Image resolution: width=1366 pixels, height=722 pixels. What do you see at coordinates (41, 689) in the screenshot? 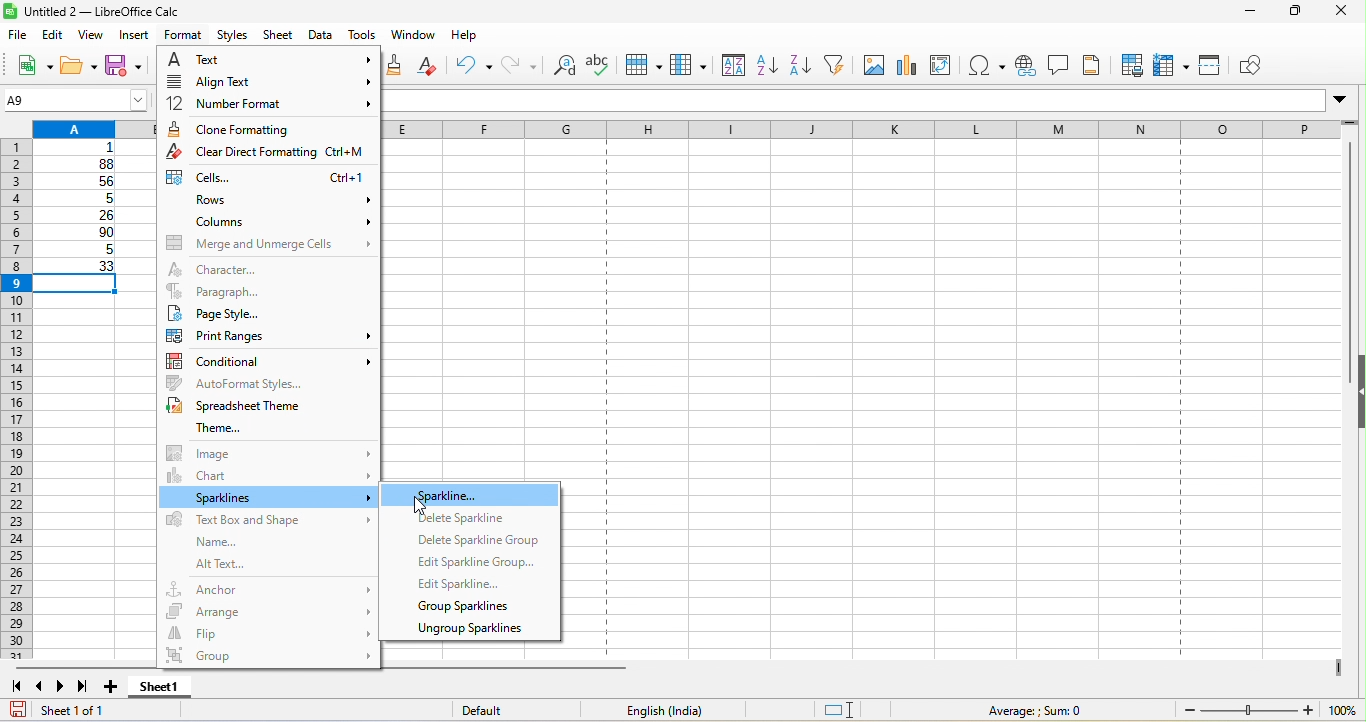
I see `scroll to previous sheet` at bounding box center [41, 689].